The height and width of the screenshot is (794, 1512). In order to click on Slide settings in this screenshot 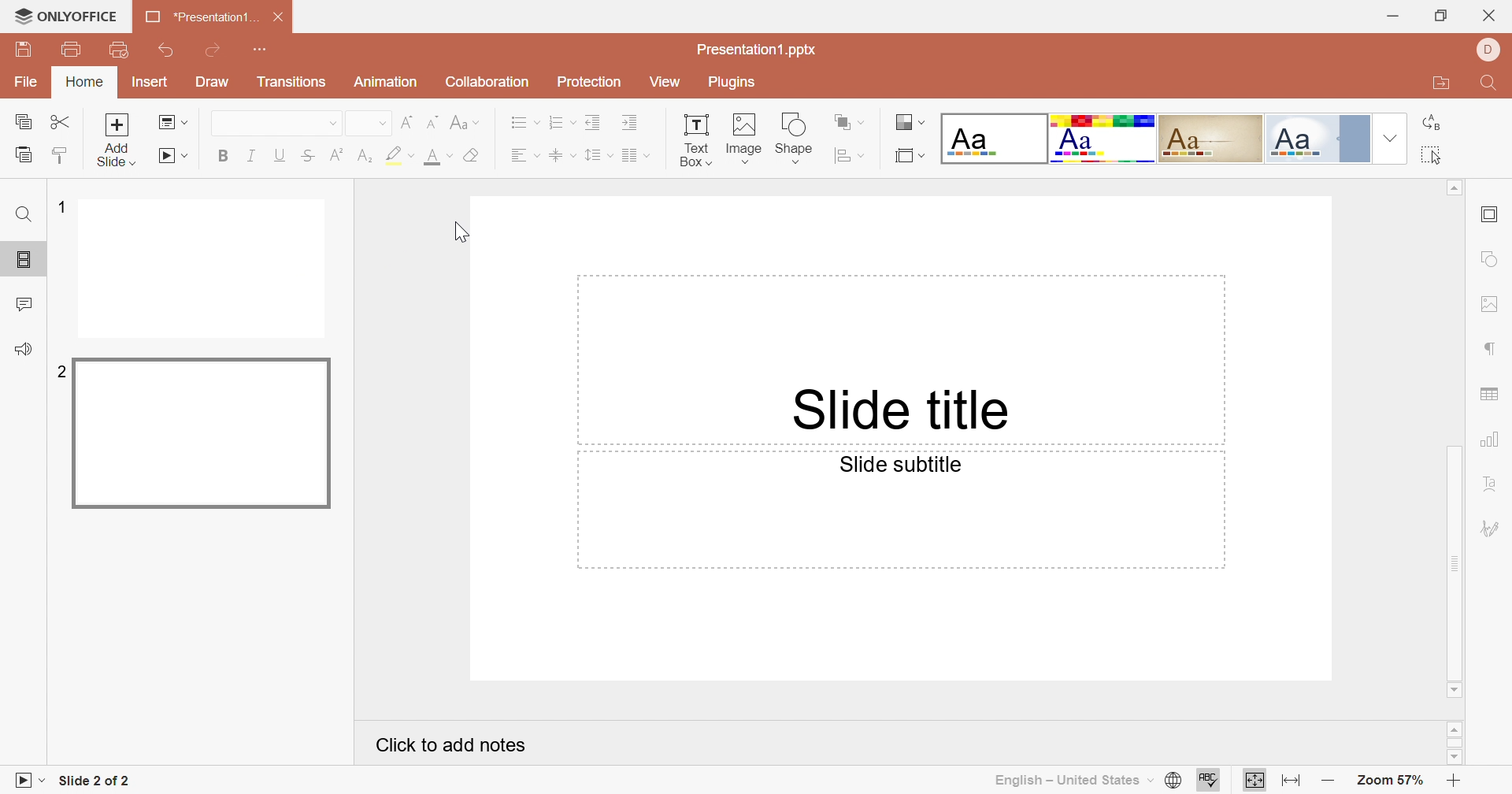, I will do `click(1489, 214)`.